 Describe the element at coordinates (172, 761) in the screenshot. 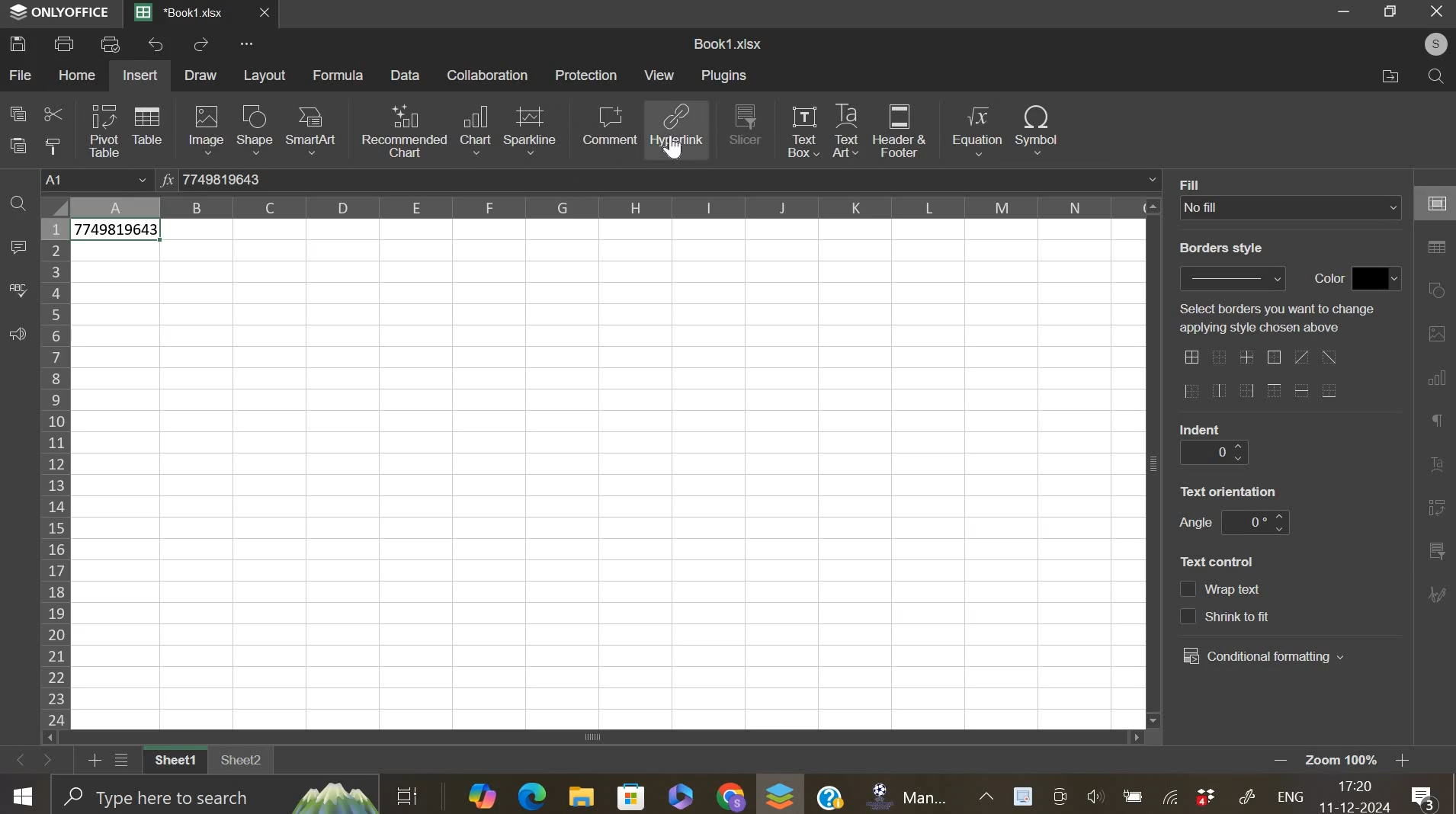

I see `sheet 1` at that location.